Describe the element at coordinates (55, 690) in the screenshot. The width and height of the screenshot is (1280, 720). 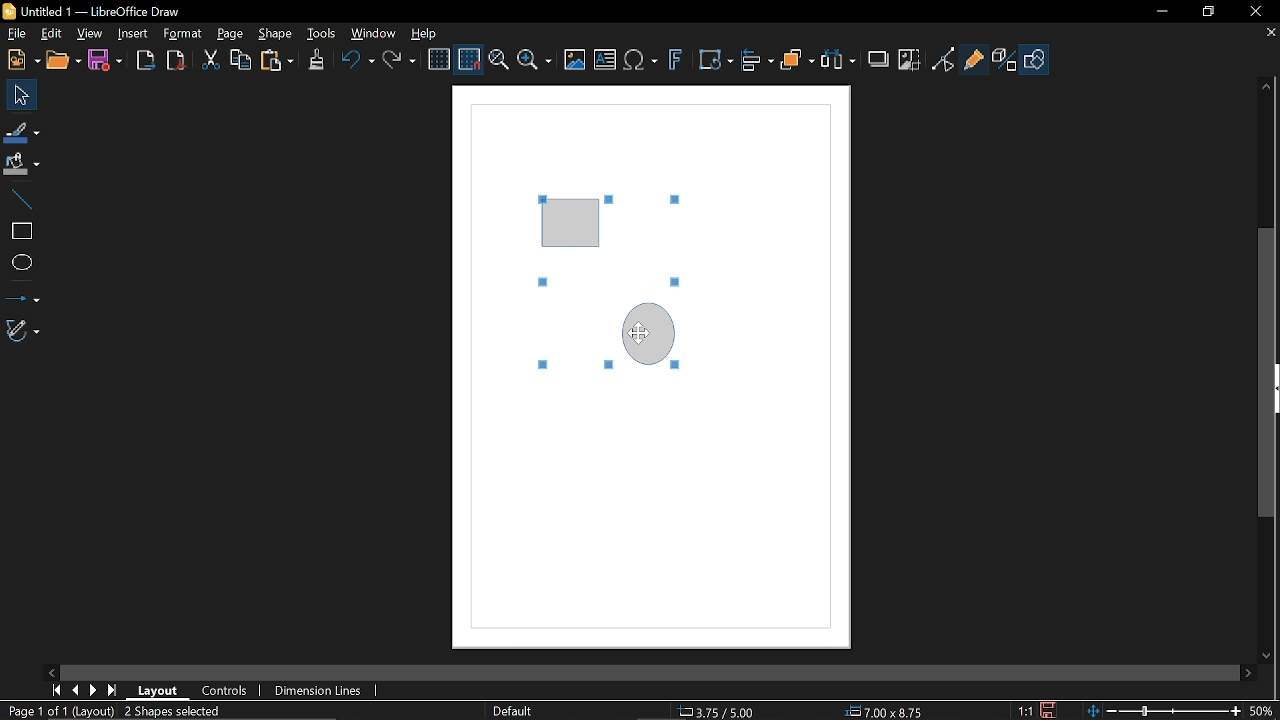
I see `First page` at that location.